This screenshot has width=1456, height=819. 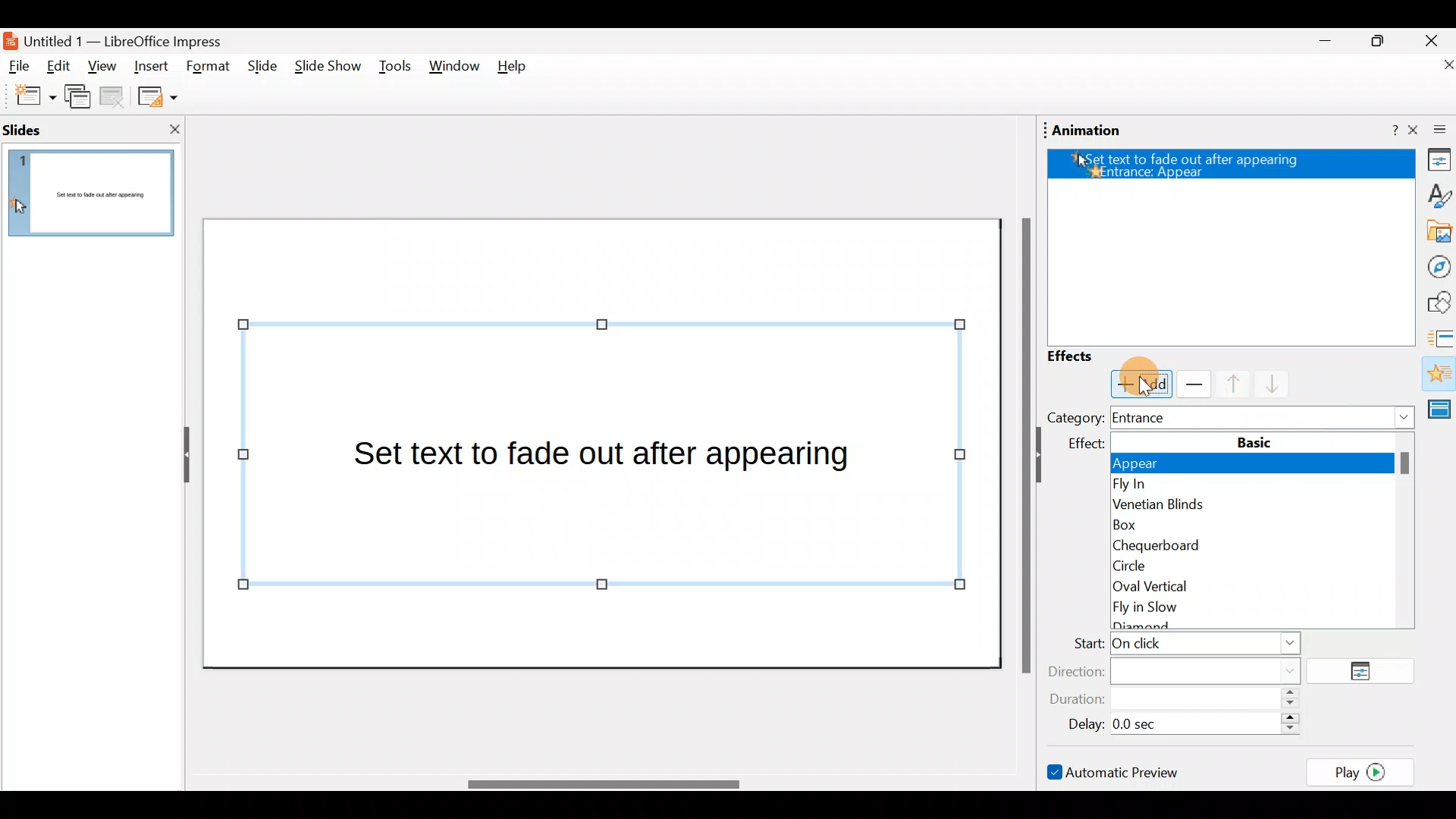 What do you see at coordinates (1435, 162) in the screenshot?
I see `Properties` at bounding box center [1435, 162].